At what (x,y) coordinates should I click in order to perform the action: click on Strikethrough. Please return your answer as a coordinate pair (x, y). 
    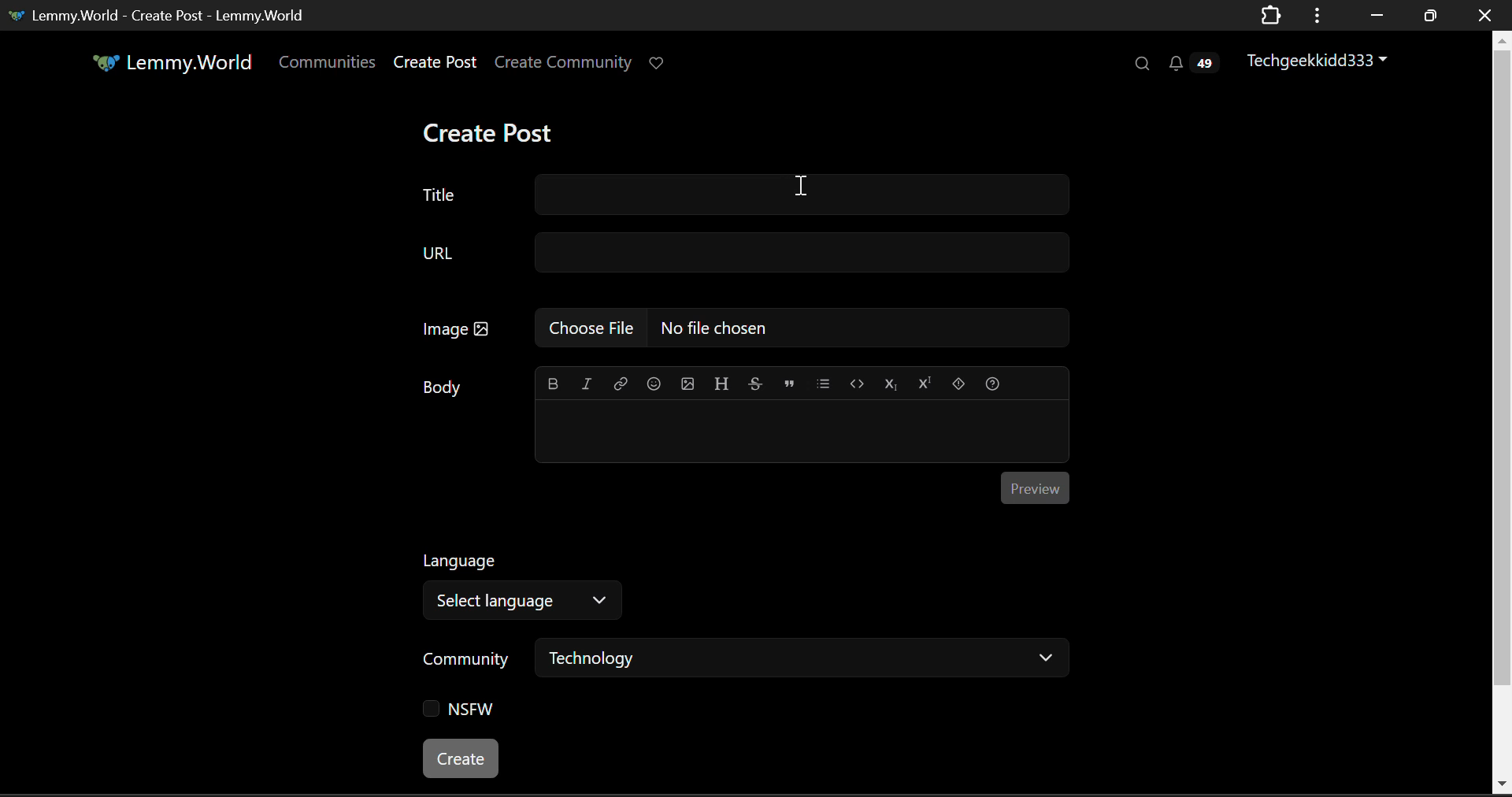
    Looking at the image, I should click on (755, 385).